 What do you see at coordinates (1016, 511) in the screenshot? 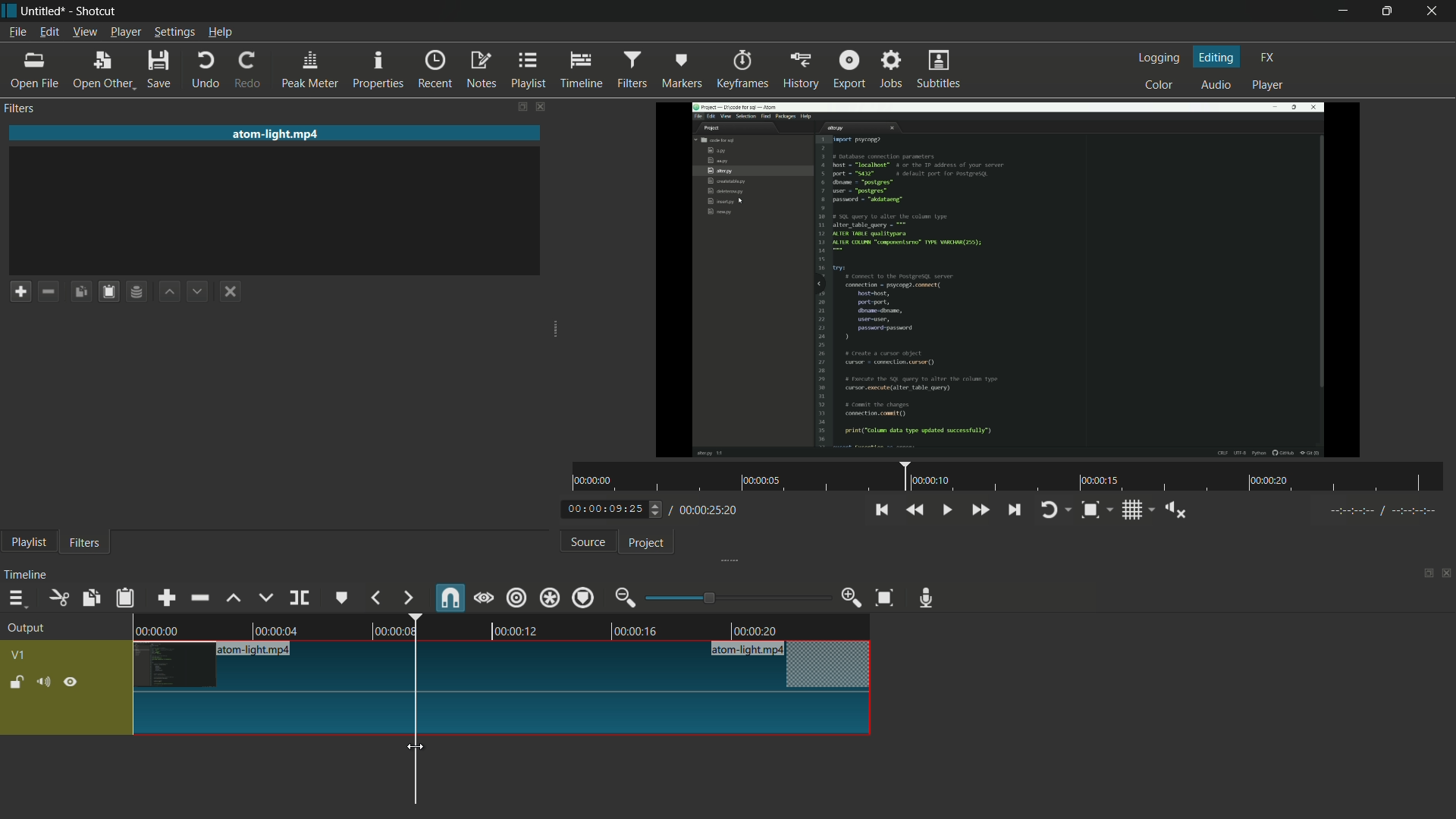
I see `skip to the next point` at bounding box center [1016, 511].